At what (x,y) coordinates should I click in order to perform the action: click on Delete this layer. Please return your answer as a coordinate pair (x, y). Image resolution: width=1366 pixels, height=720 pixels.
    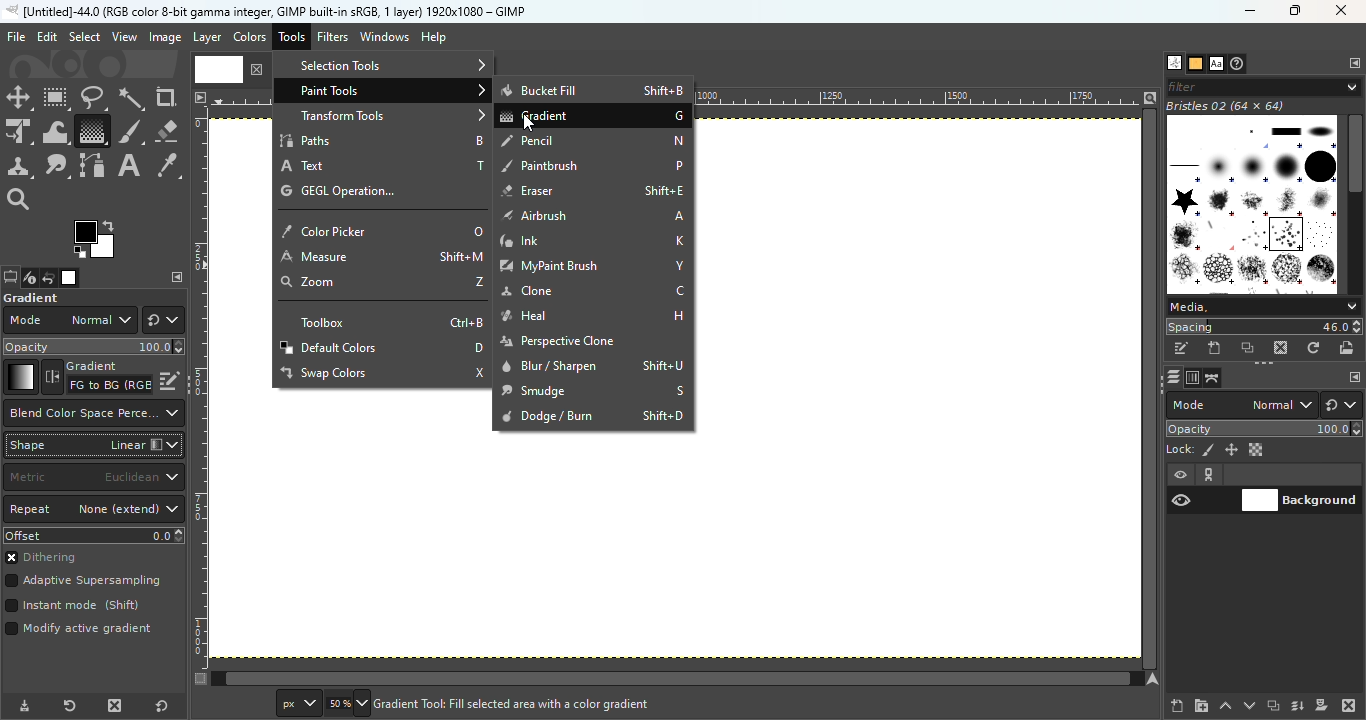
    Looking at the image, I should click on (1350, 706).